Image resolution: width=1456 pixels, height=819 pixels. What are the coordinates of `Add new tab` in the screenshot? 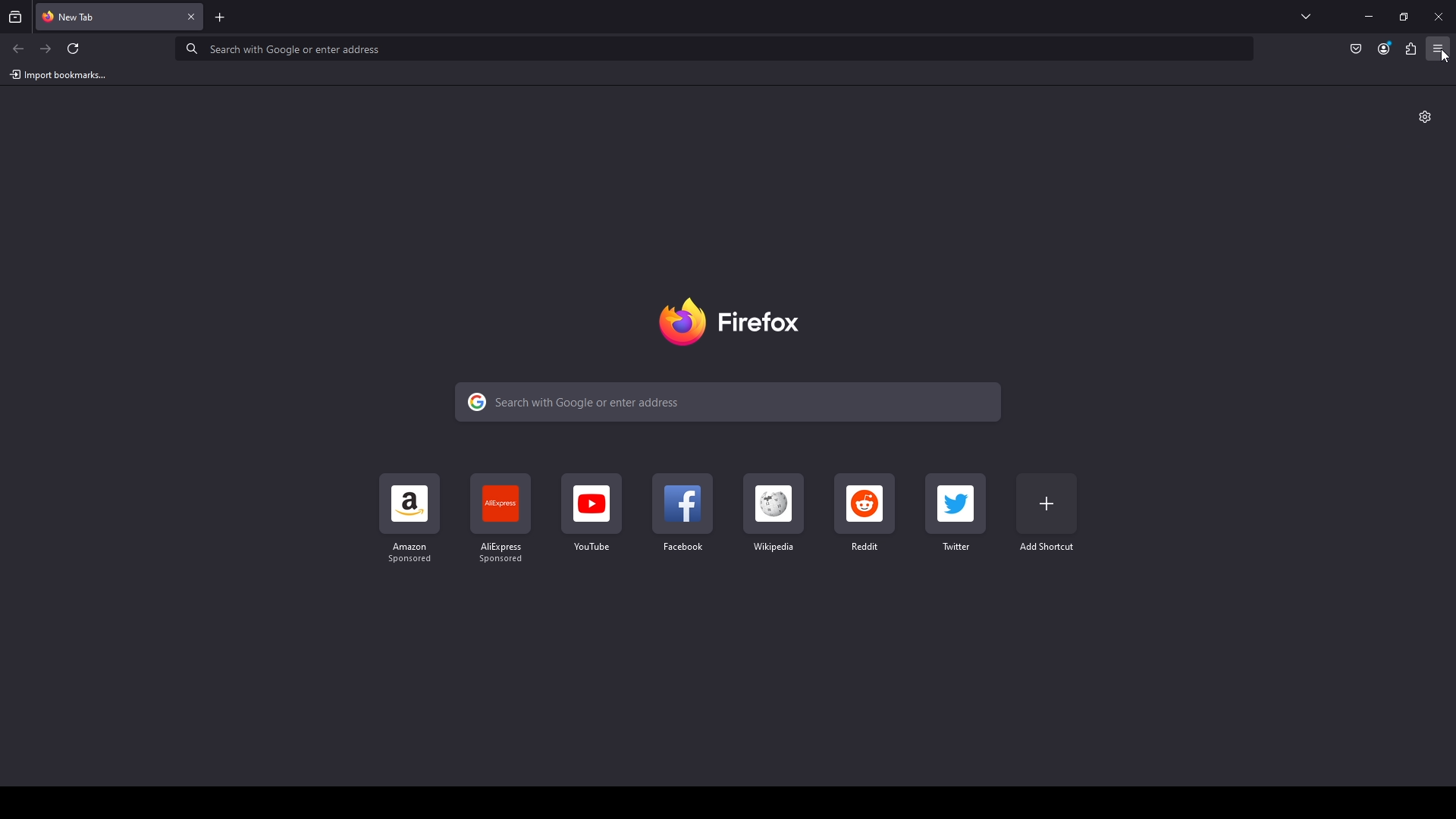 It's located at (221, 17).